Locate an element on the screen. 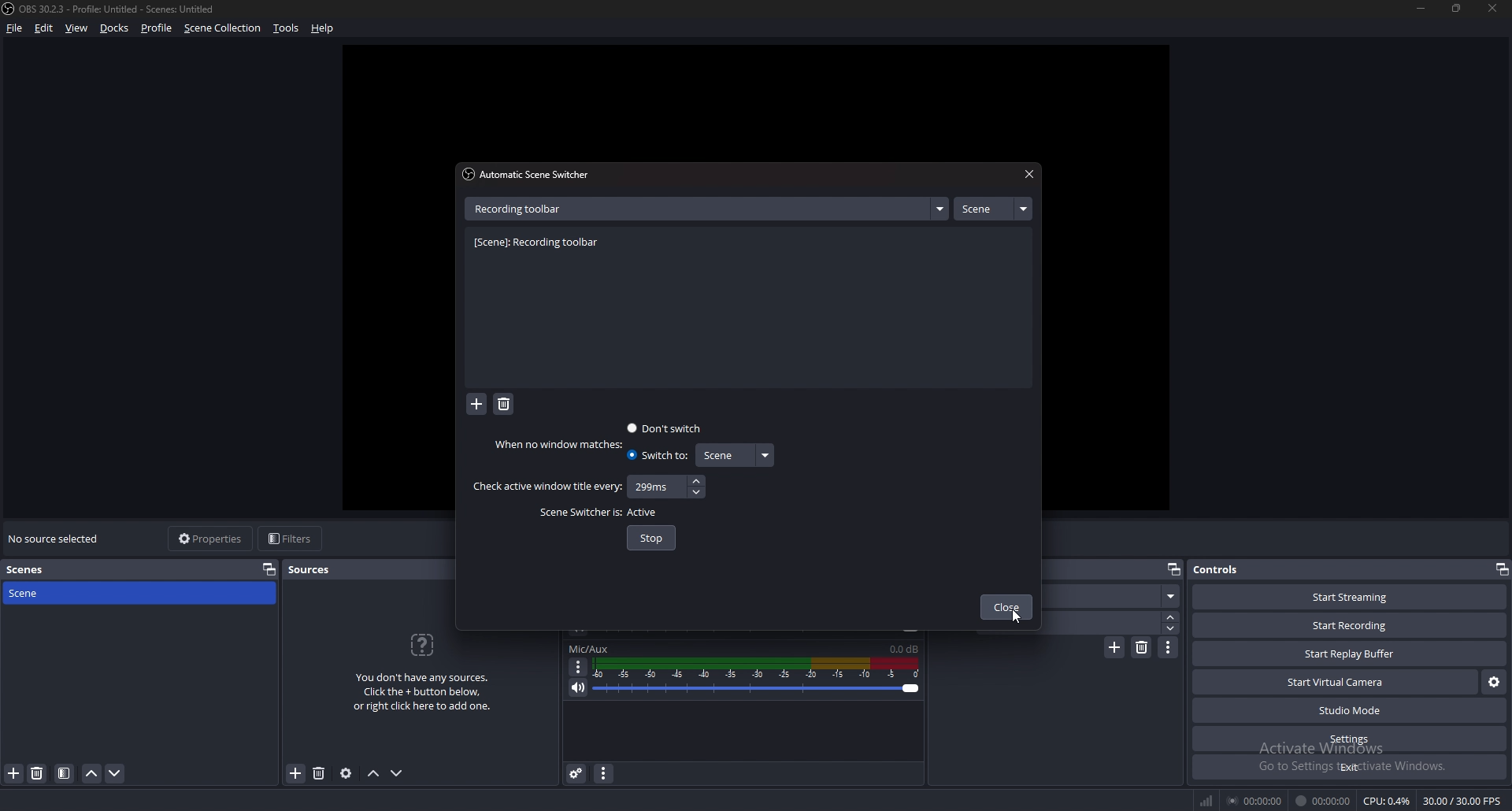 The image size is (1512, 811). expand is located at coordinates (939, 209).